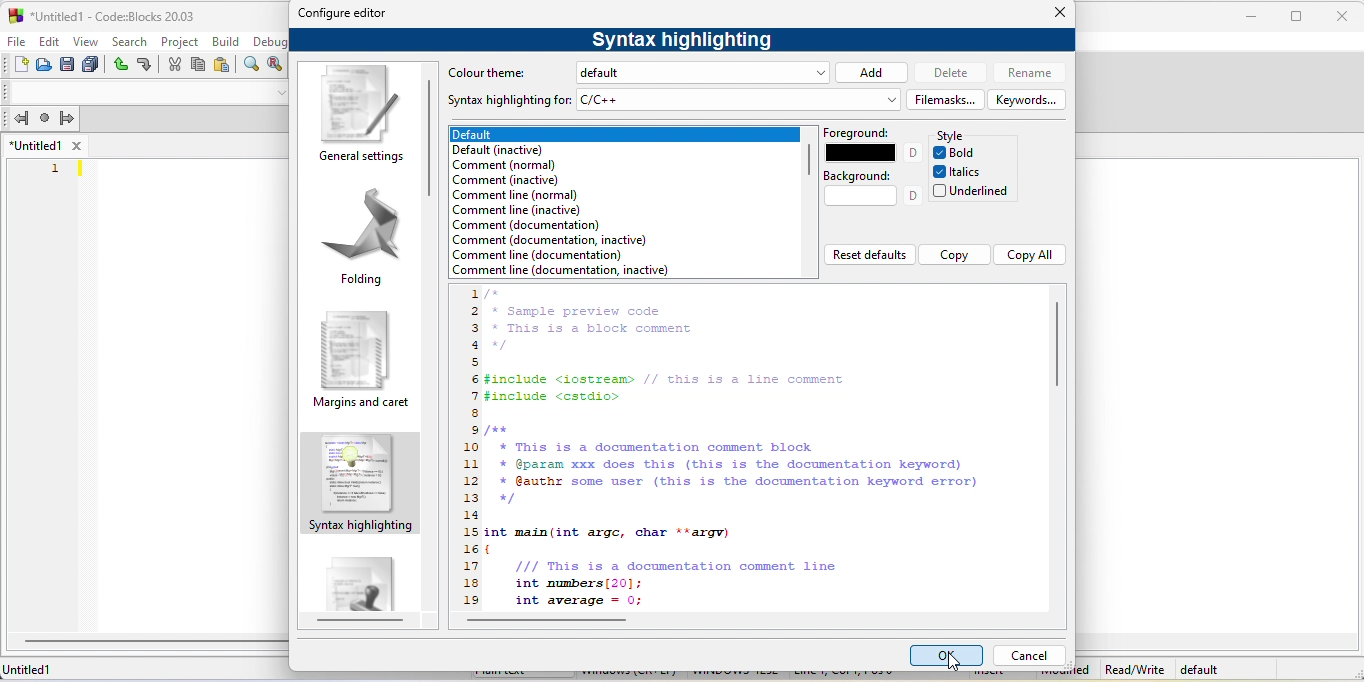  I want to click on reset defaults, so click(869, 253).